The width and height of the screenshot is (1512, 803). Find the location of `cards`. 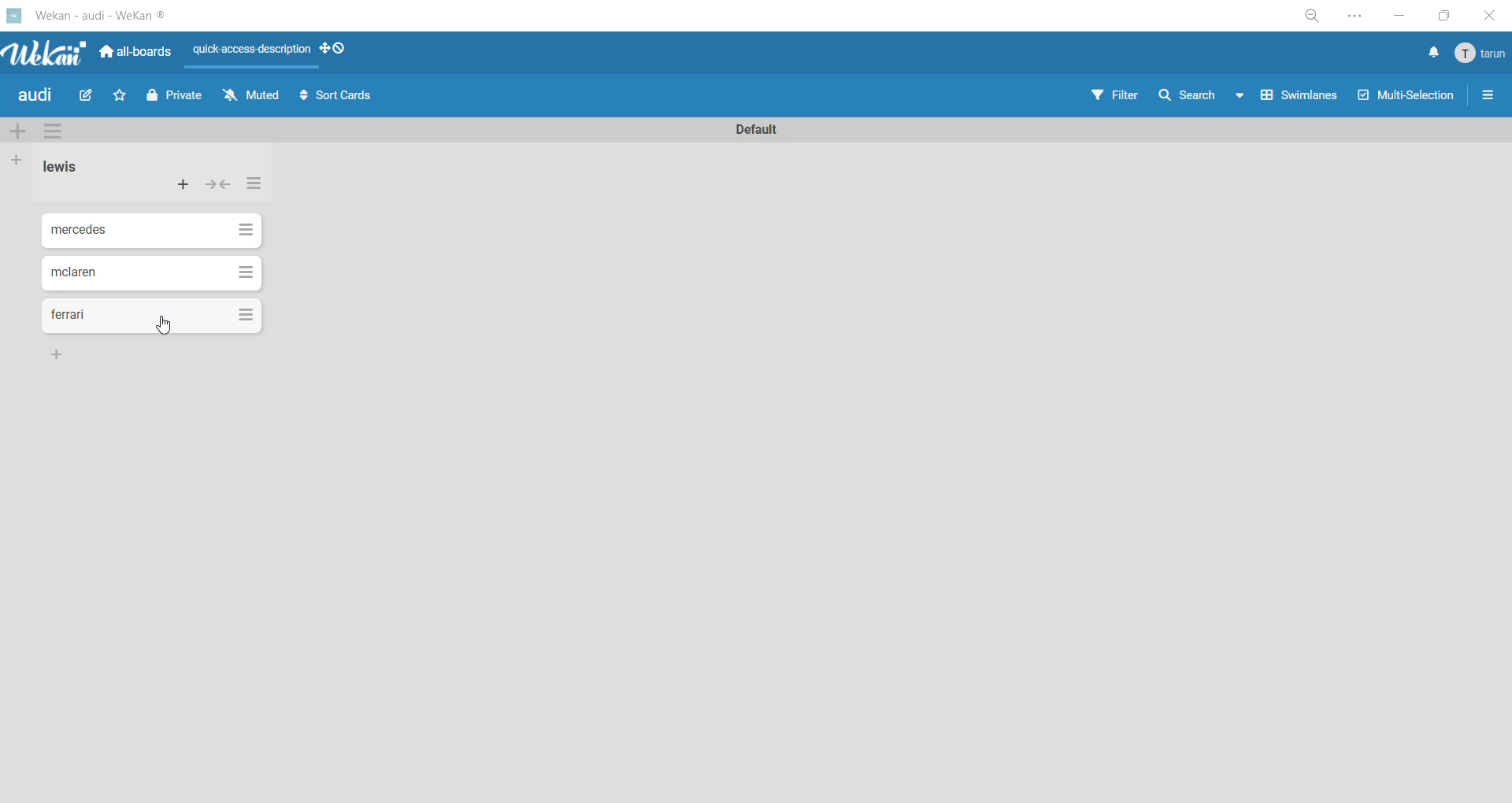

cards is located at coordinates (152, 273).